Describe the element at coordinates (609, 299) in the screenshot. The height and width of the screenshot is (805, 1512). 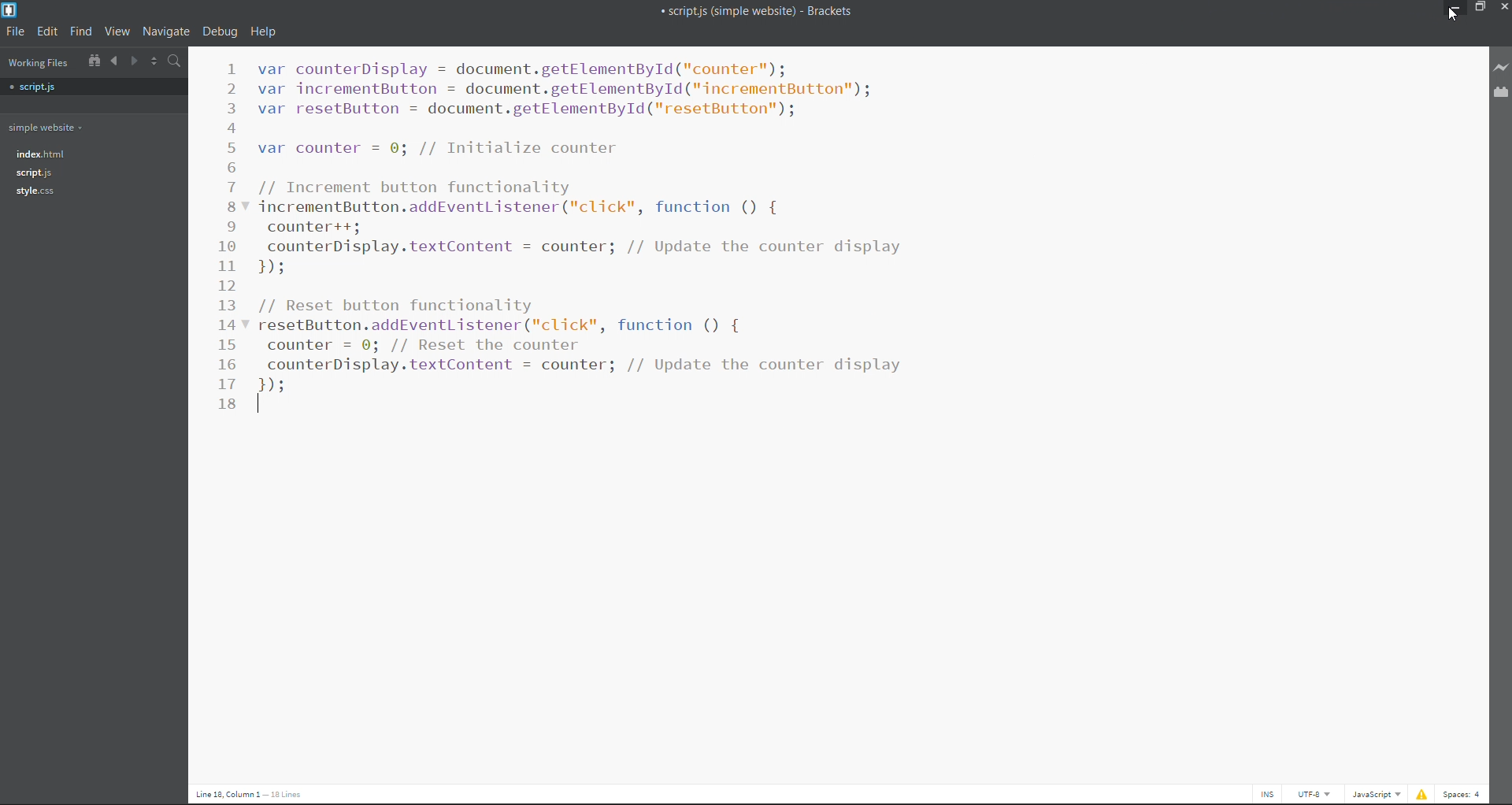
I see `// Increment button functionality
incrementButton.addEventListener("click", function () {

counter++;

counterDisplay.textContent = counter; // Update the counter display
BY

// Reset button functionality

resetButton.addEventListener("click", function () {

counter = 0; // Reset the counter

counterDisplay.textContent = counter; // Update the counter display
1s
|` at that location.